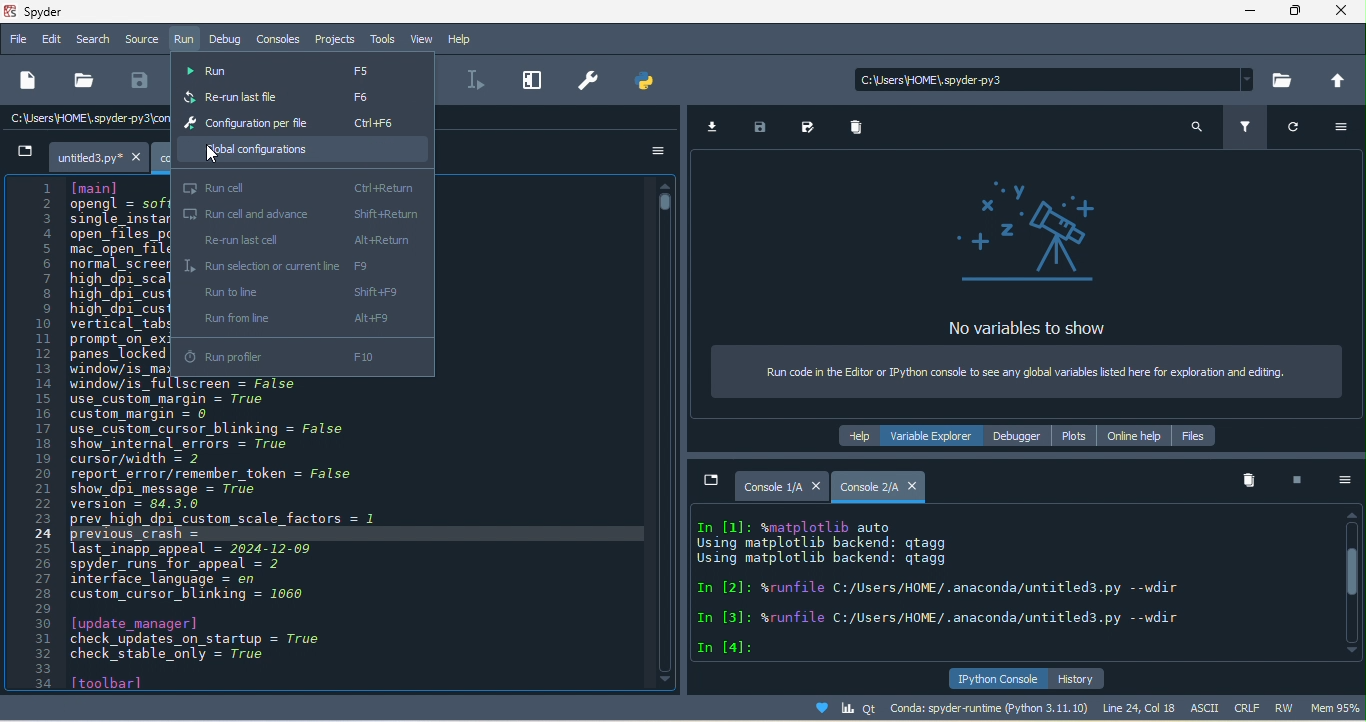 Image resolution: width=1366 pixels, height=722 pixels. Describe the element at coordinates (284, 69) in the screenshot. I see `run` at that location.